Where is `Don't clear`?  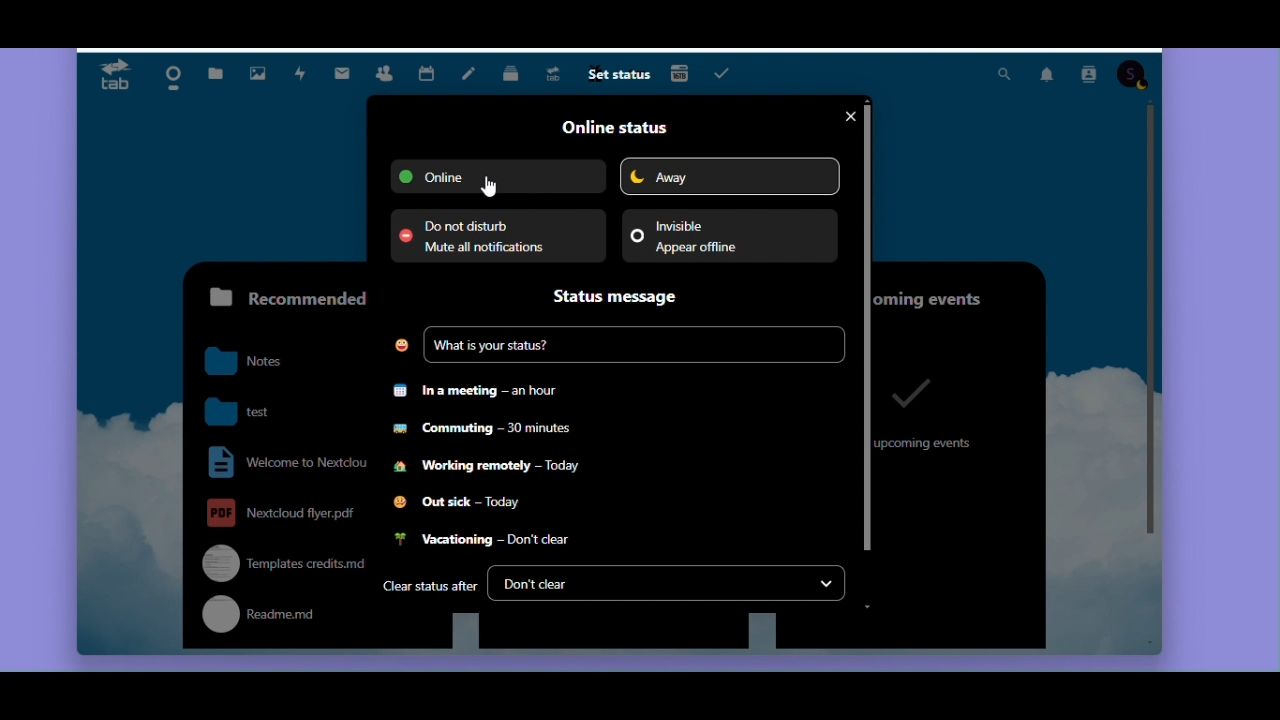
Don't clear is located at coordinates (667, 584).